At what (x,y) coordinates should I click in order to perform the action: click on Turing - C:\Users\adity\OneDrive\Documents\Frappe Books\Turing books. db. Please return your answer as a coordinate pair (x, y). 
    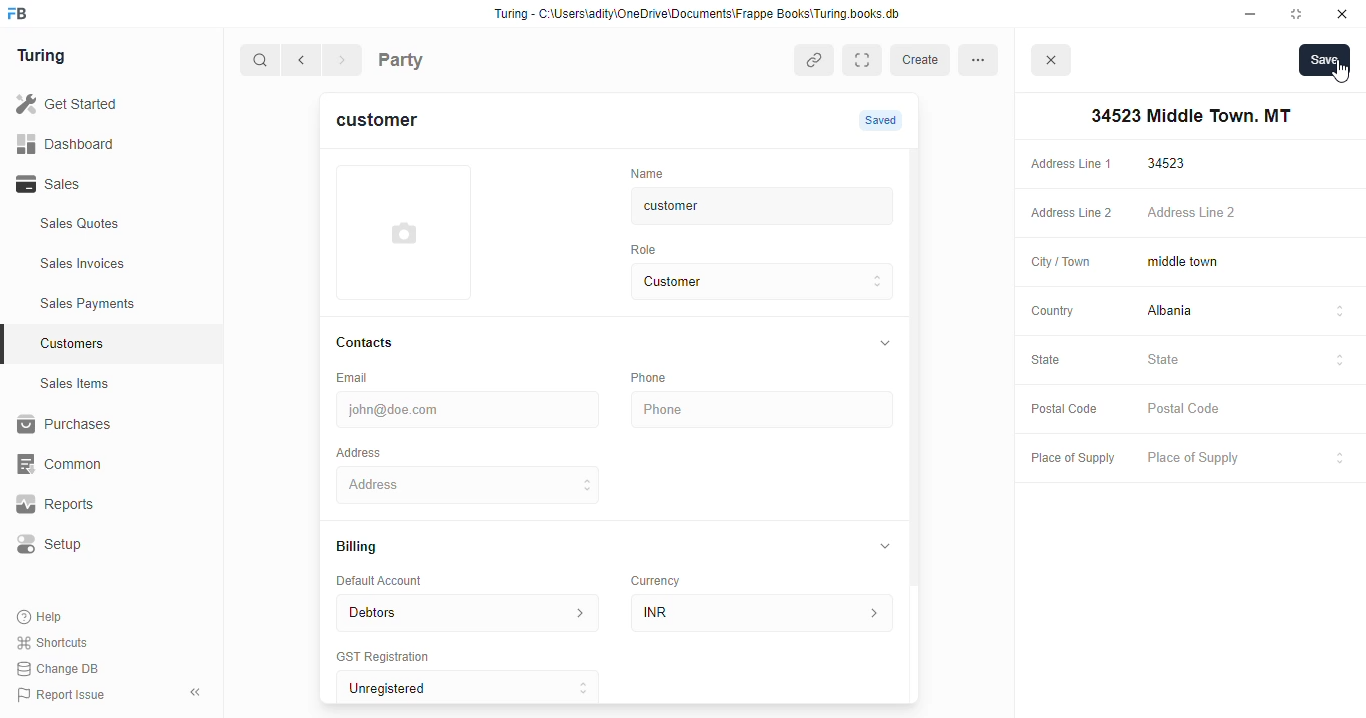
    Looking at the image, I should click on (703, 16).